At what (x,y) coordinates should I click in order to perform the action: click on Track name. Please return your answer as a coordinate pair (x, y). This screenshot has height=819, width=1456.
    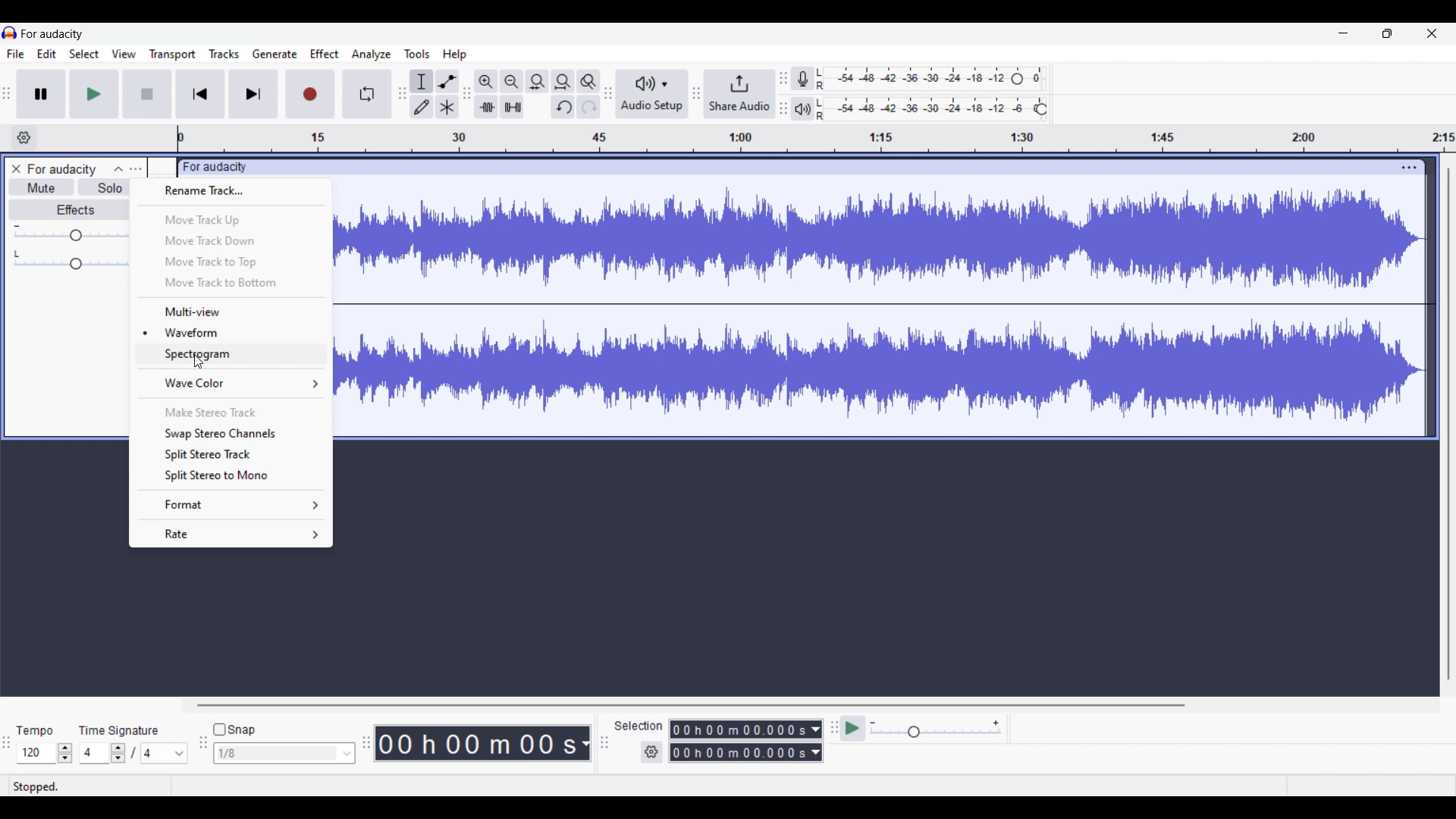
    Looking at the image, I should click on (62, 169).